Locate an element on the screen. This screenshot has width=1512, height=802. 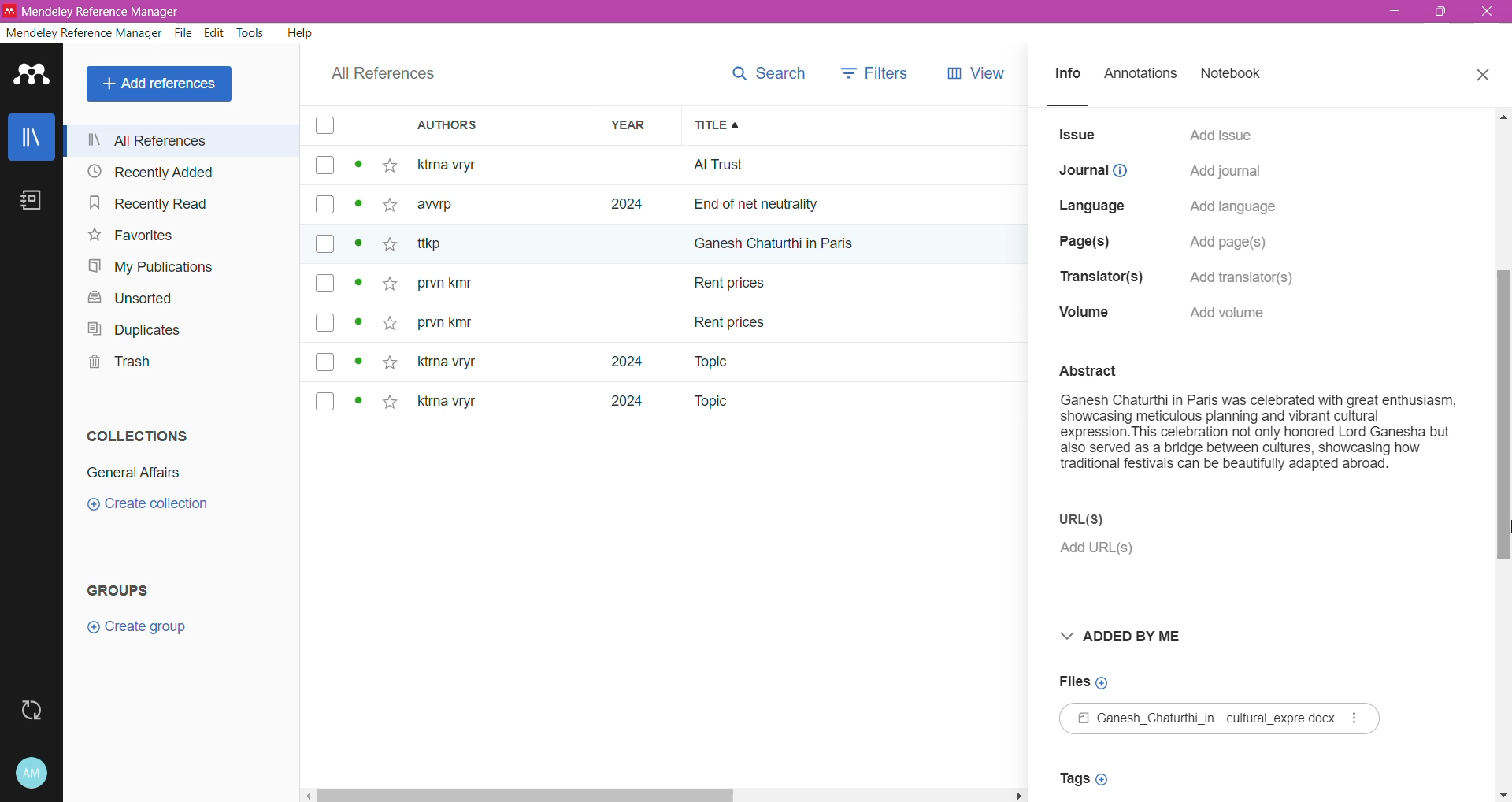
Create Group is located at coordinates (145, 628).